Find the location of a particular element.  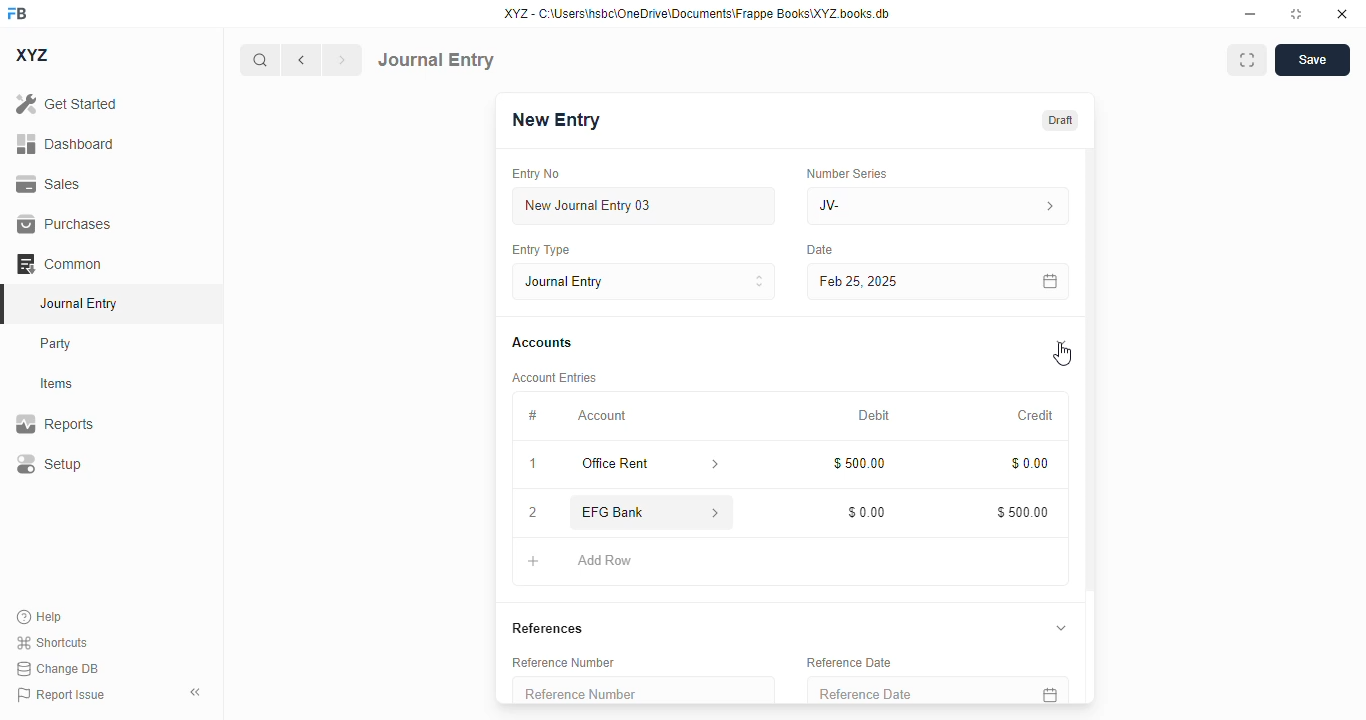

draft is located at coordinates (1061, 121).